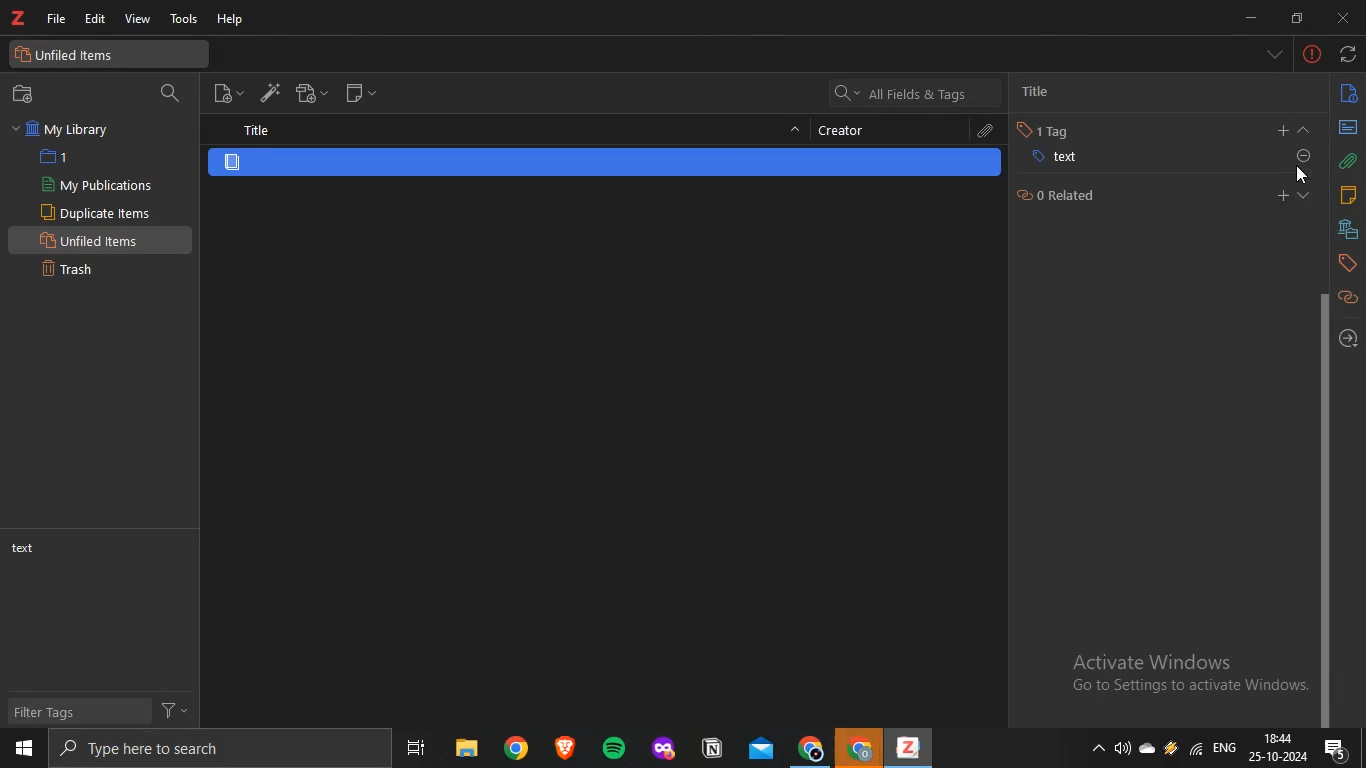 The width and height of the screenshot is (1366, 768). What do you see at coordinates (1334, 750) in the screenshot?
I see `notifications` at bounding box center [1334, 750].